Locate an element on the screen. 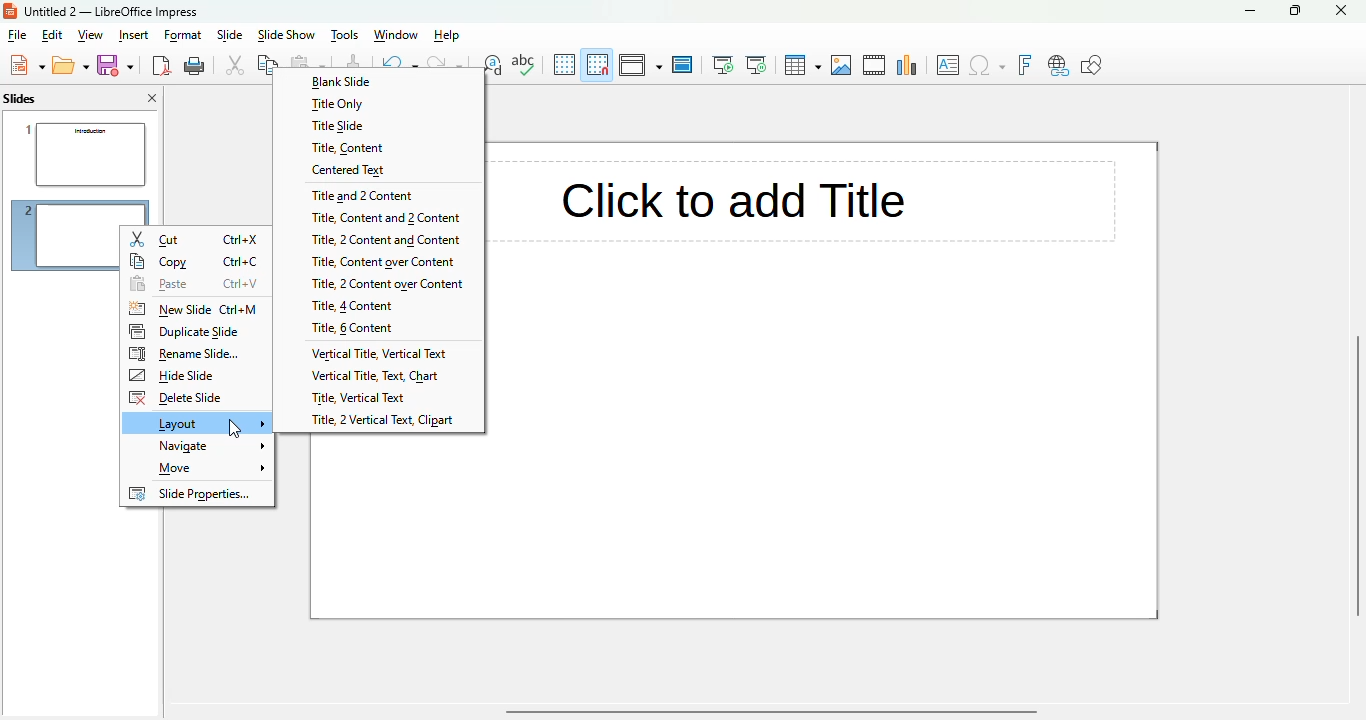  format is located at coordinates (184, 35).